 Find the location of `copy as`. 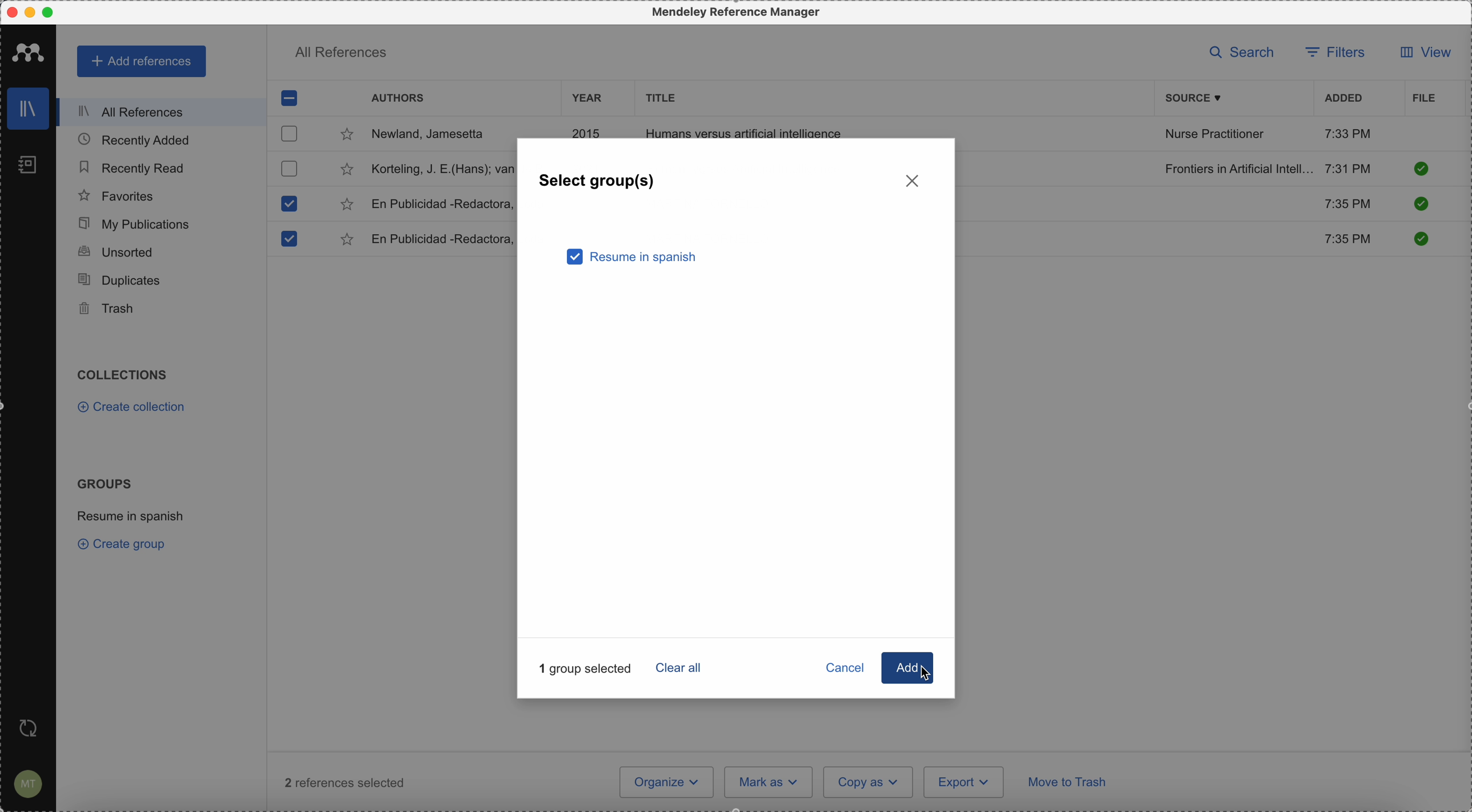

copy as is located at coordinates (869, 782).